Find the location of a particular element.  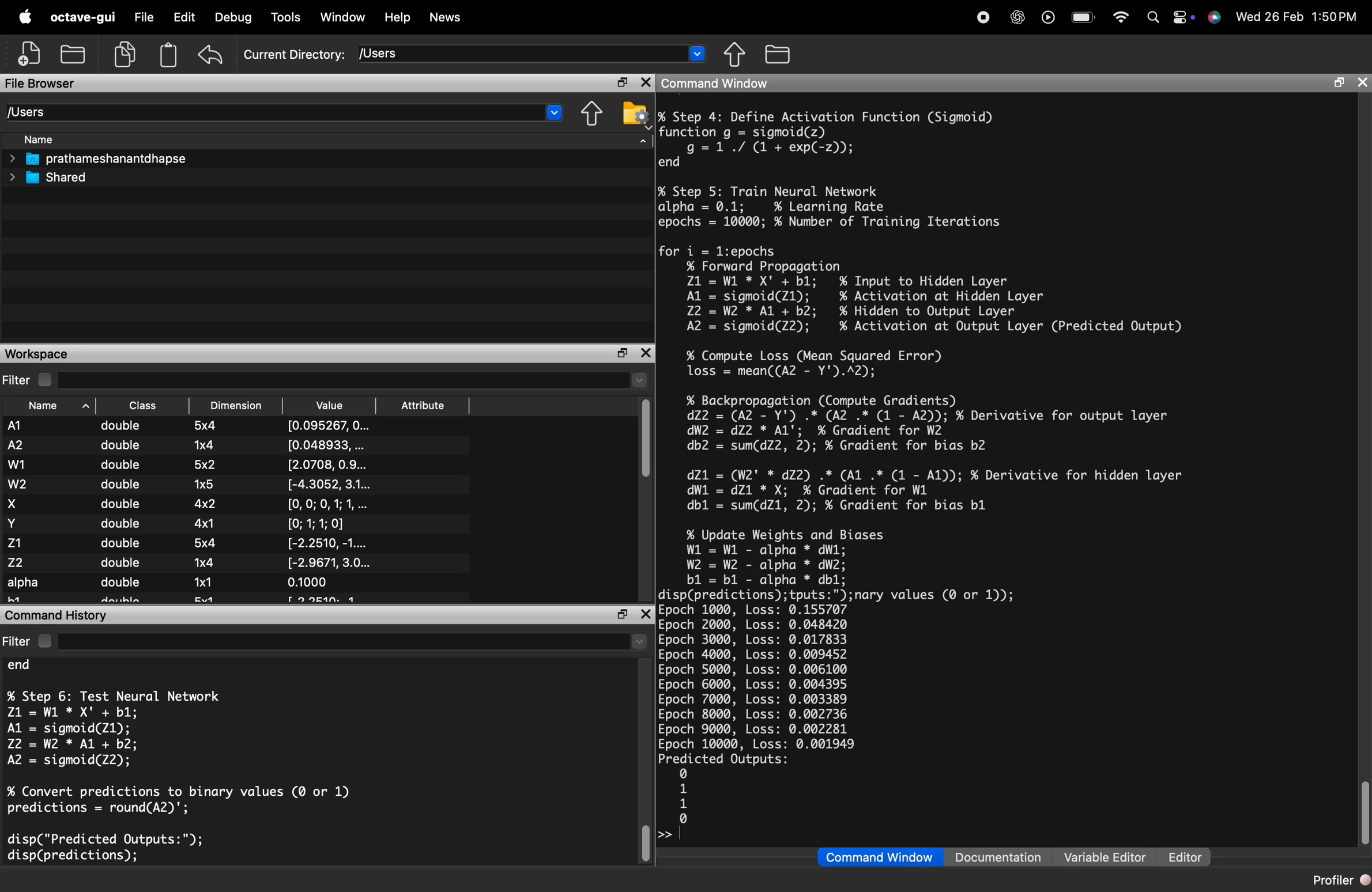

B5x2 is located at coordinates (207, 464).